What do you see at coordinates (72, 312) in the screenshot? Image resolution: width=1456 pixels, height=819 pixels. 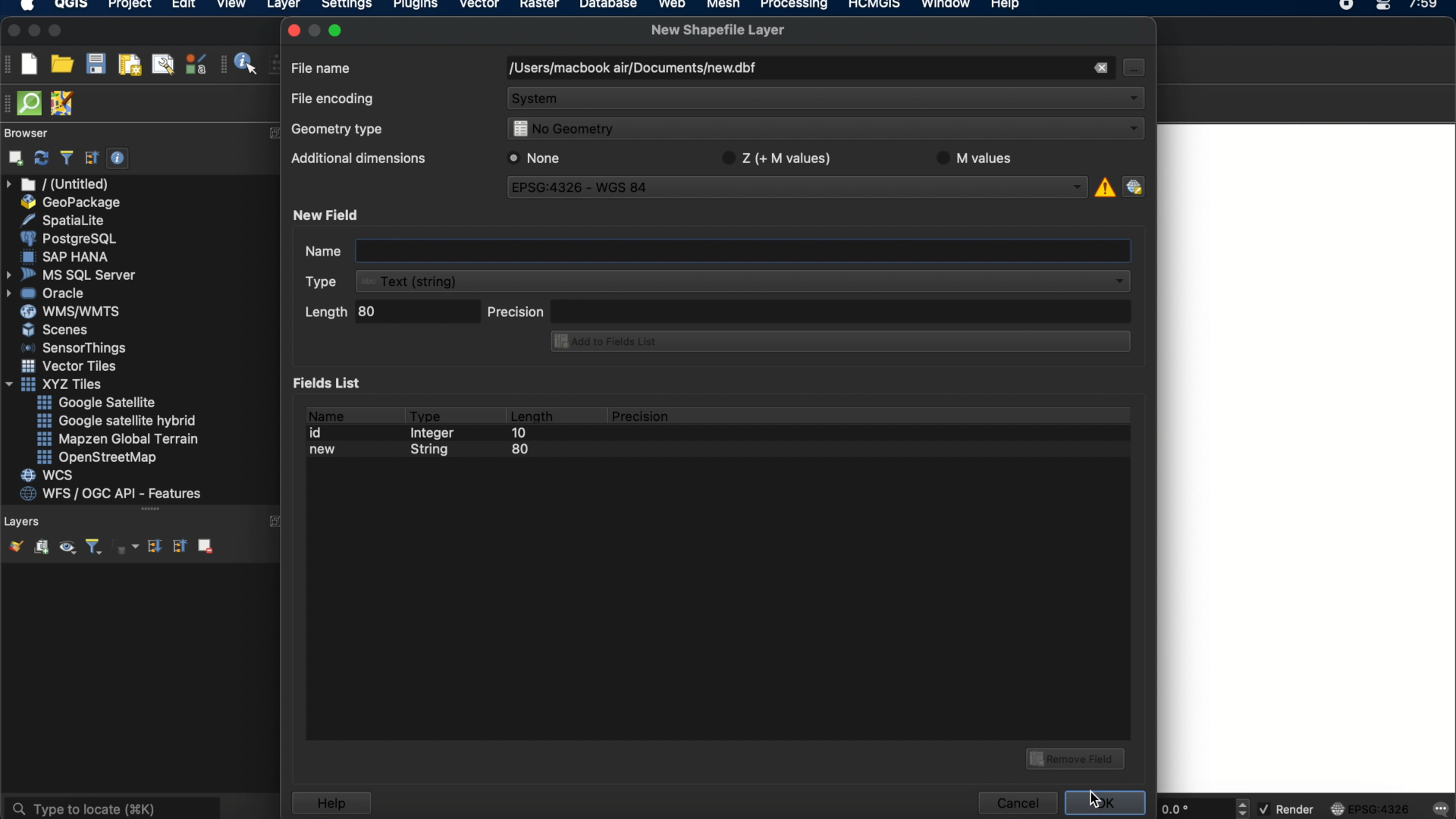 I see `was/wmts` at bounding box center [72, 312].